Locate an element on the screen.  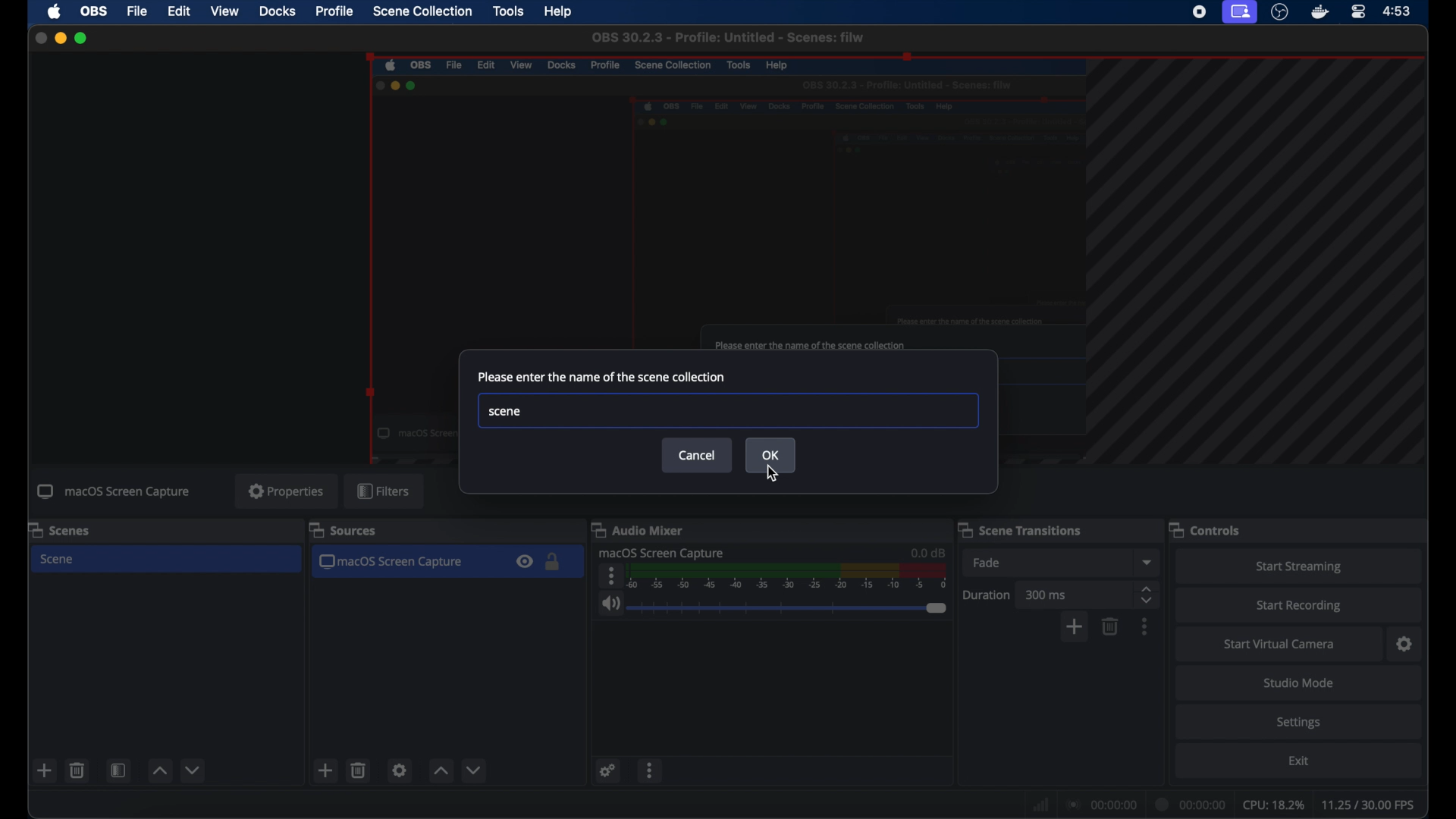
tools is located at coordinates (508, 11).